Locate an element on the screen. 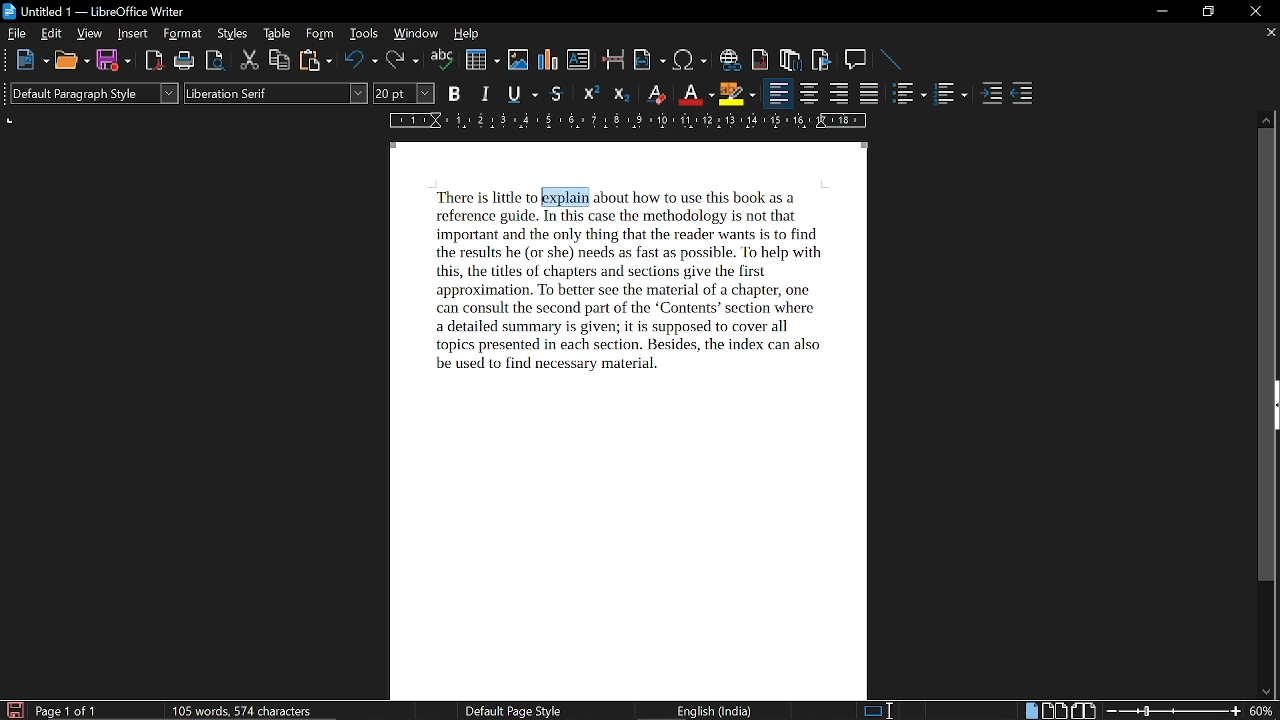 This screenshot has width=1280, height=720. underline is located at coordinates (521, 94).